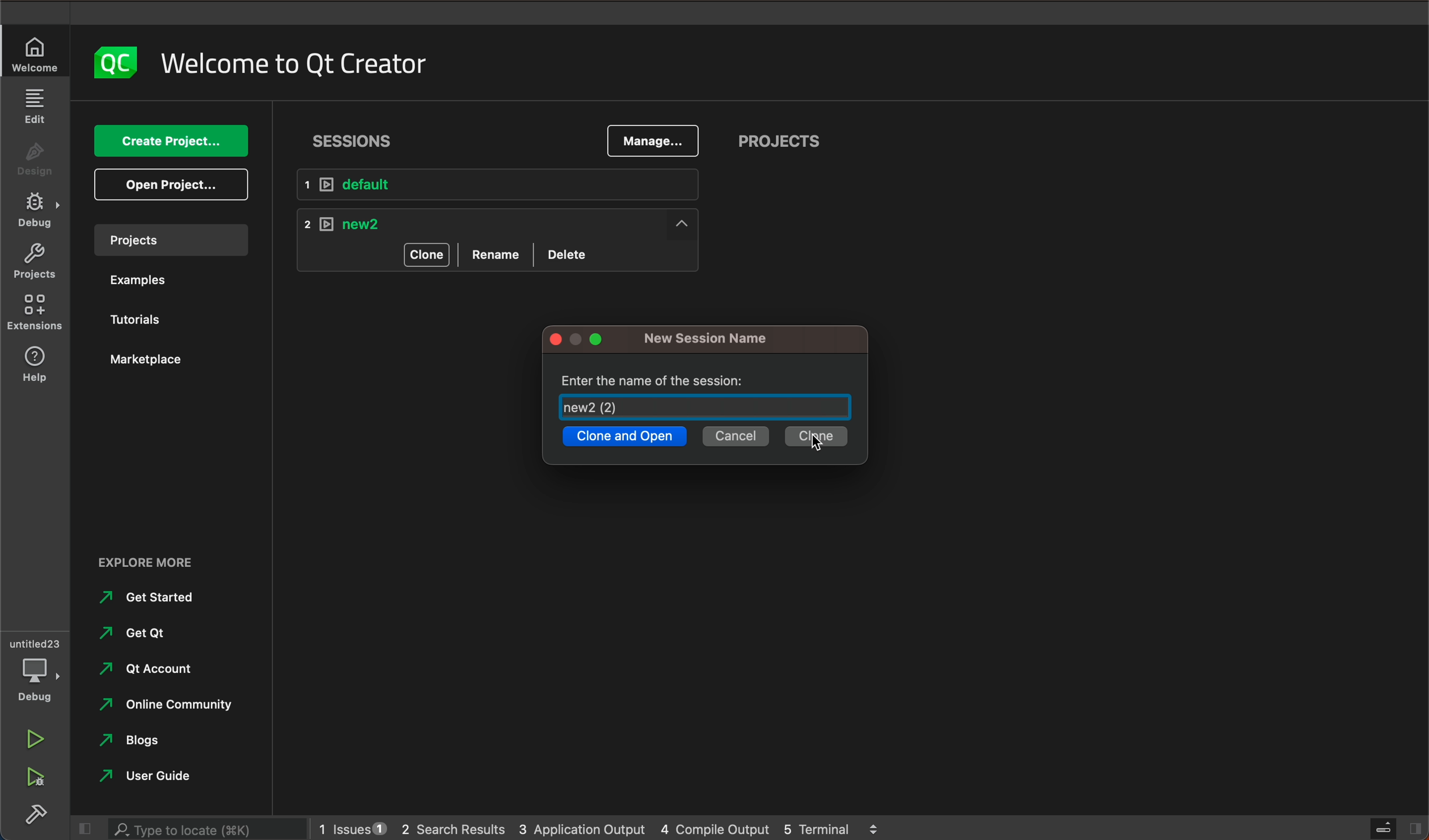 The image size is (1429, 840). What do you see at coordinates (34, 669) in the screenshot?
I see `debug` at bounding box center [34, 669].